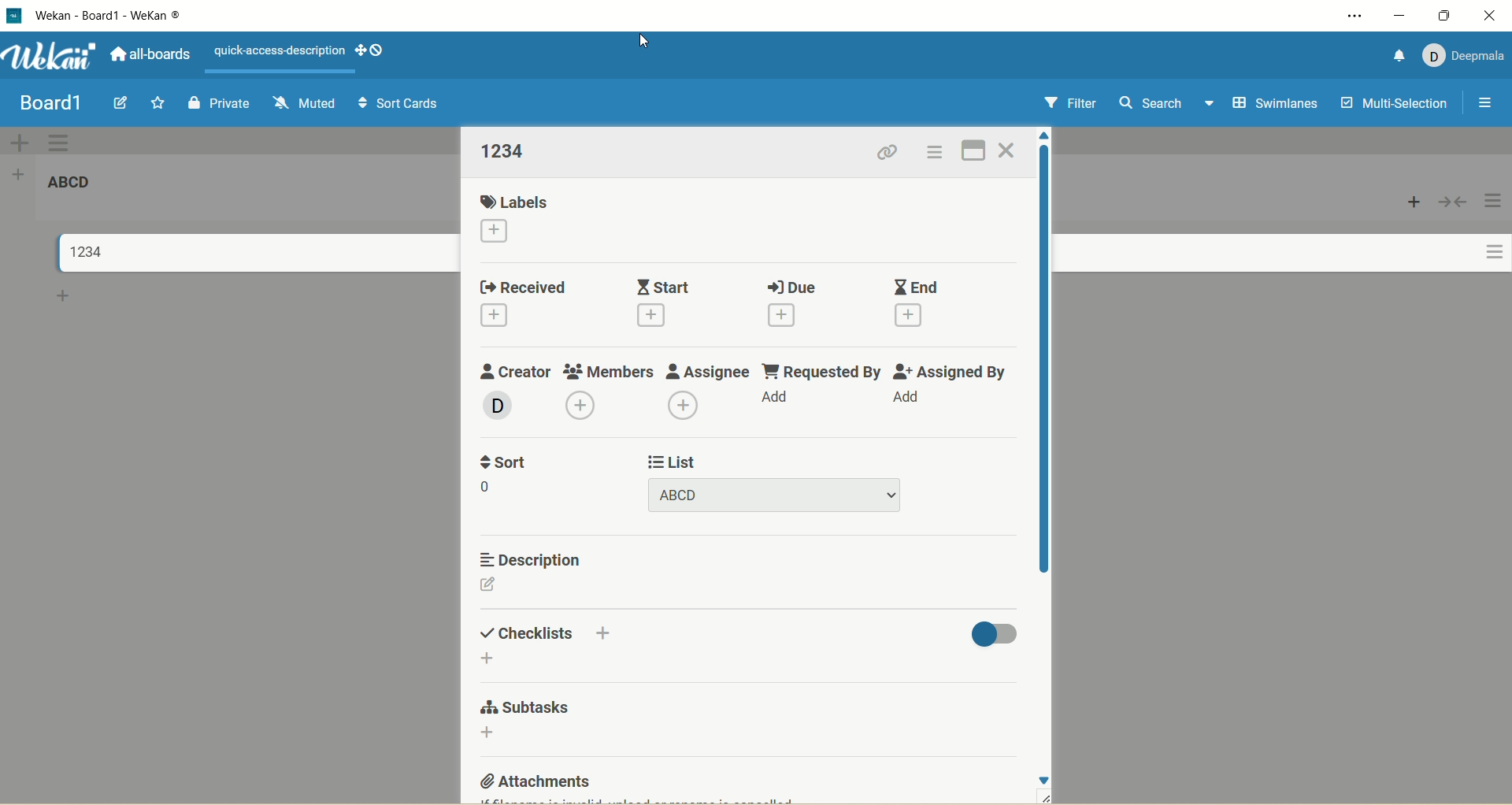  What do you see at coordinates (975, 150) in the screenshot?
I see `fullscreen` at bounding box center [975, 150].